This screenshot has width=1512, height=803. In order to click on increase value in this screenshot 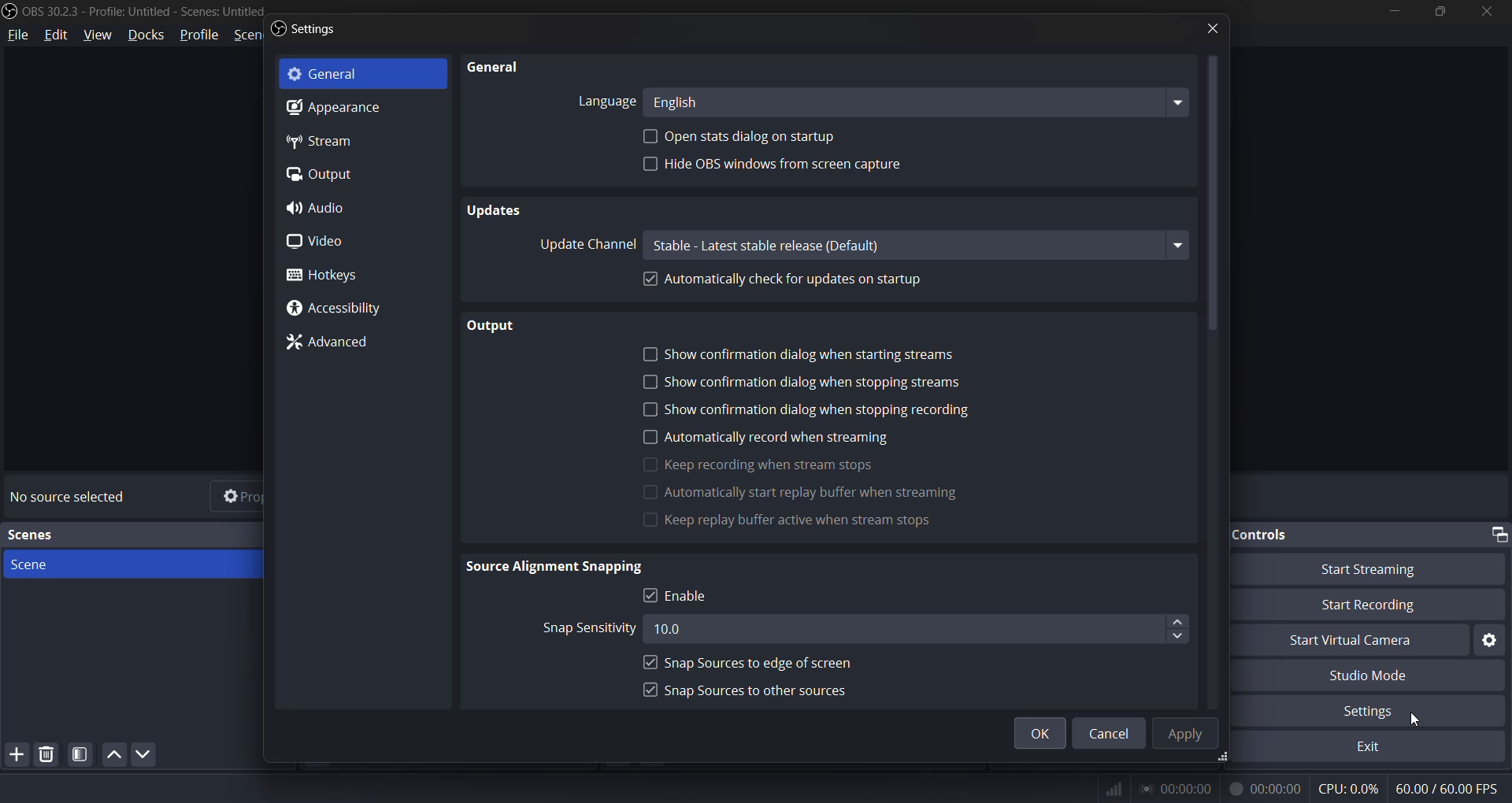, I will do `click(1178, 620)`.